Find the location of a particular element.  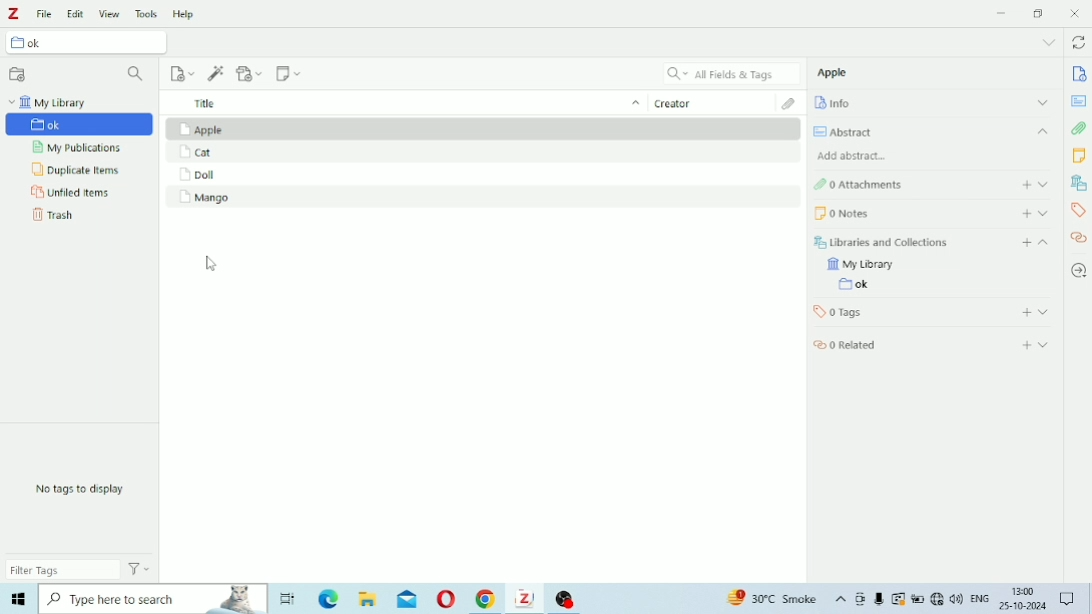

Title is located at coordinates (405, 101).